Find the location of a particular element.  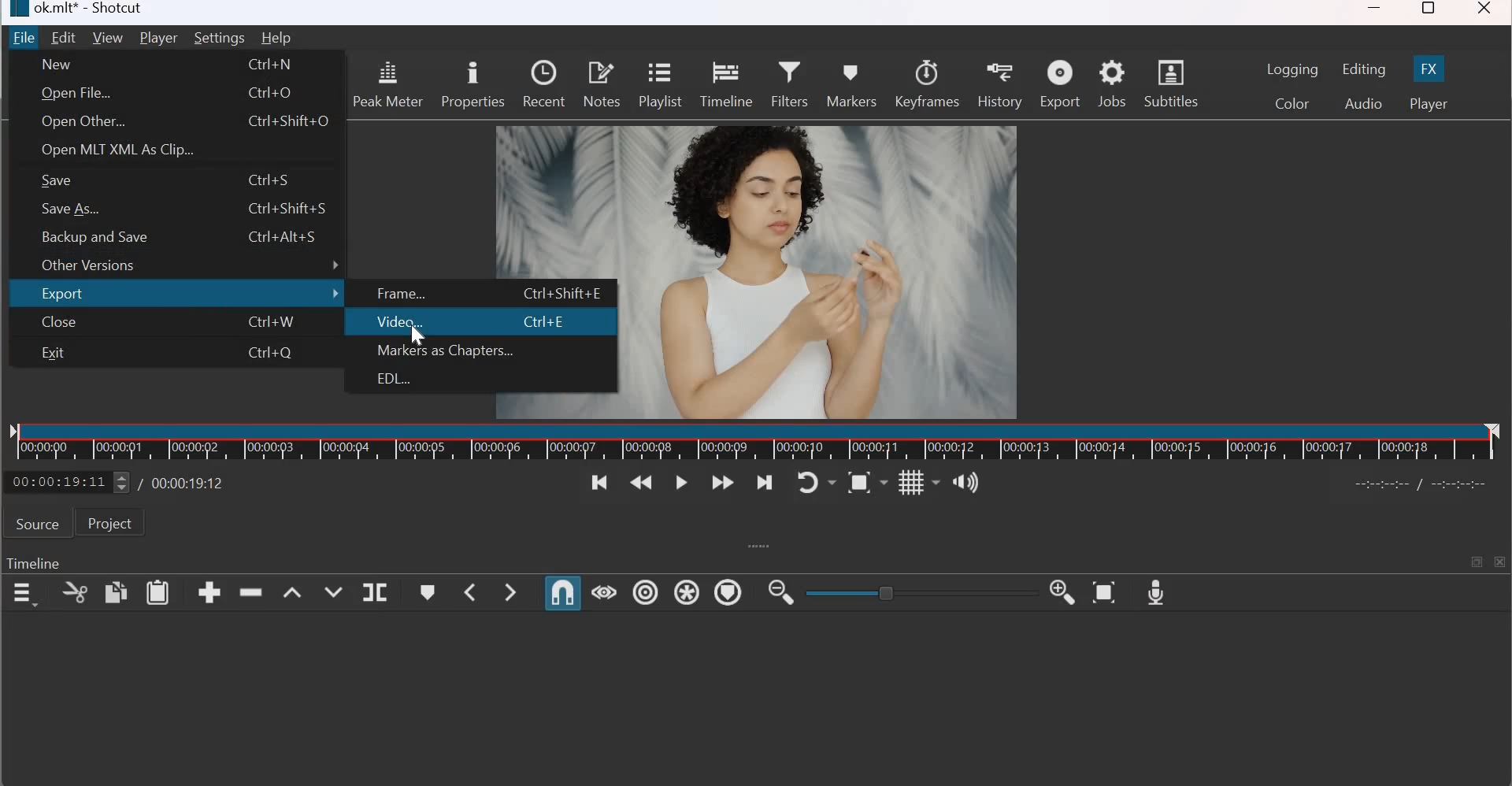

cursor is located at coordinates (421, 334).